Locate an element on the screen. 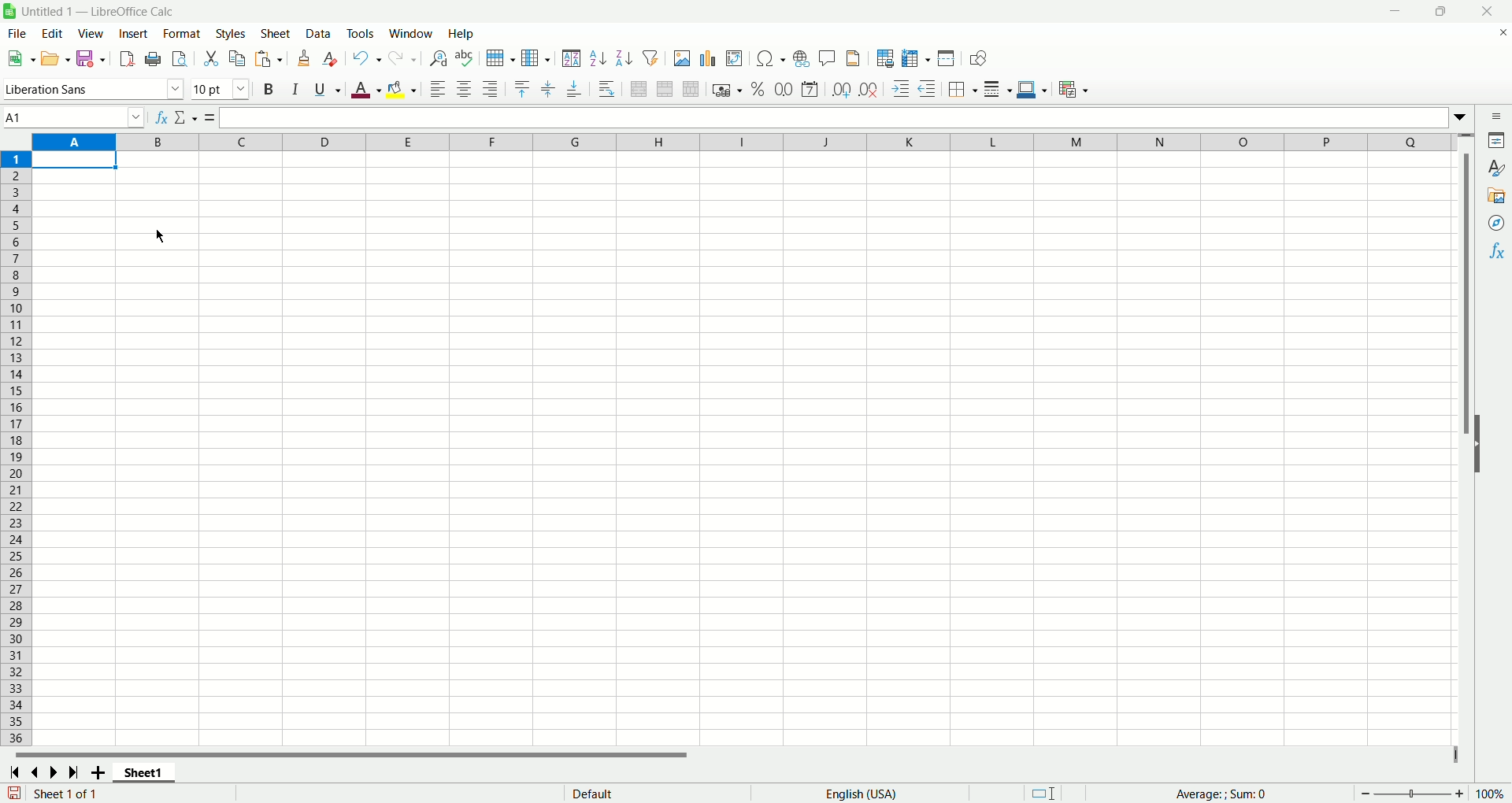  add sheet is located at coordinates (100, 772).